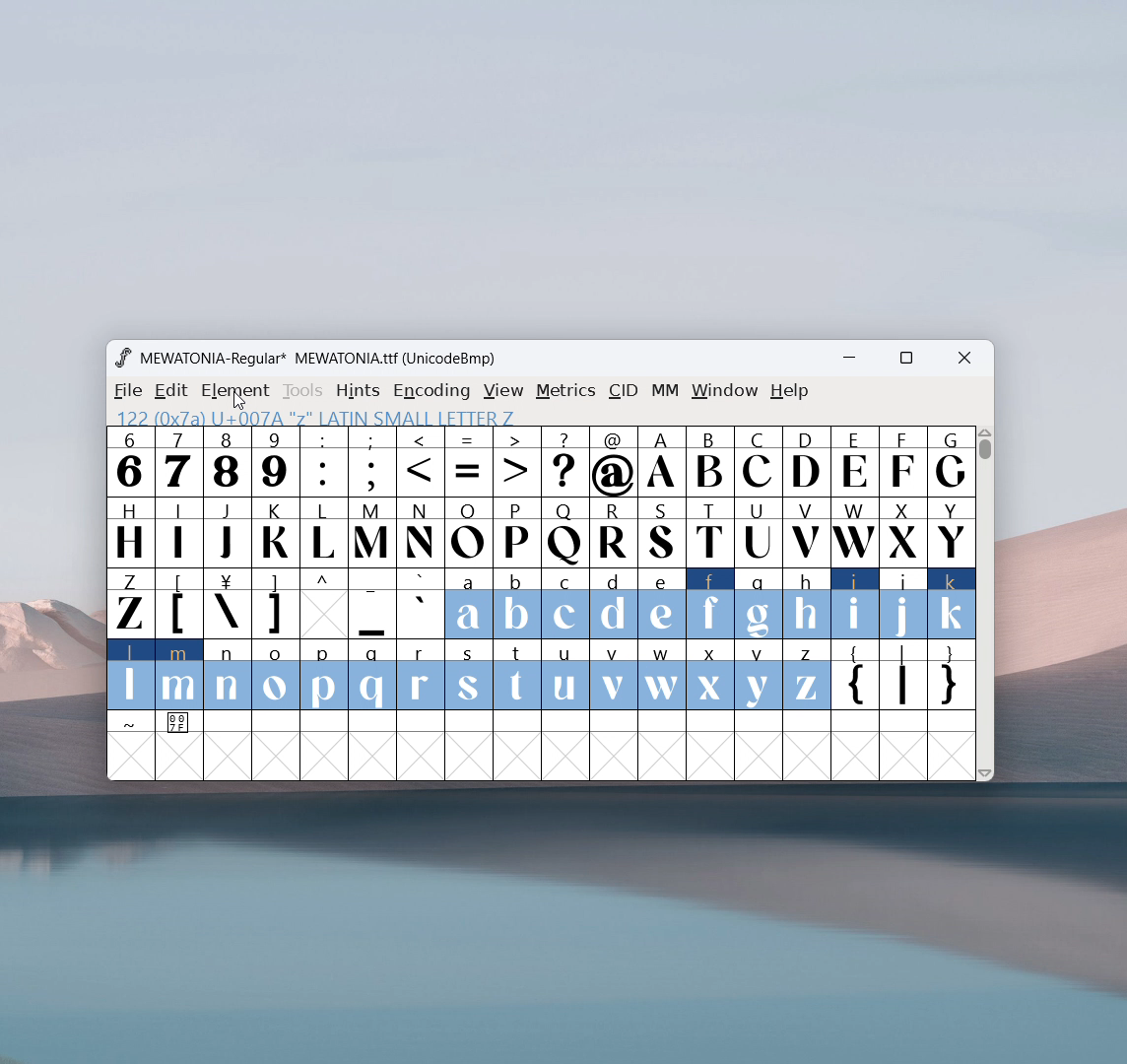  I want to click on D, so click(805, 460).